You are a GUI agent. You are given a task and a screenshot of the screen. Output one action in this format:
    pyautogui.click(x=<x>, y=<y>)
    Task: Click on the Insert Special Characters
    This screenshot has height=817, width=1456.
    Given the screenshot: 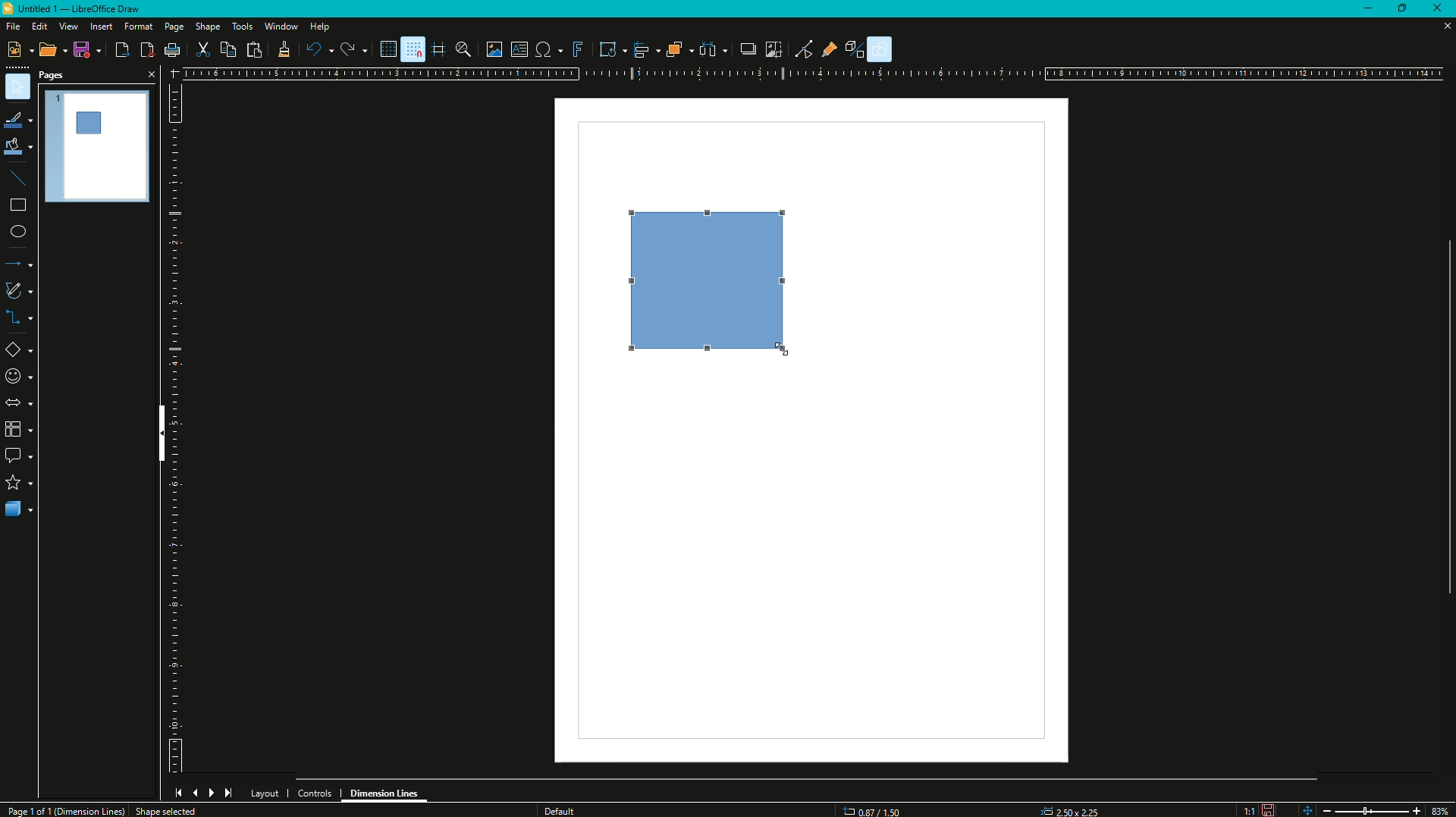 What is the action you would take?
    pyautogui.click(x=548, y=47)
    